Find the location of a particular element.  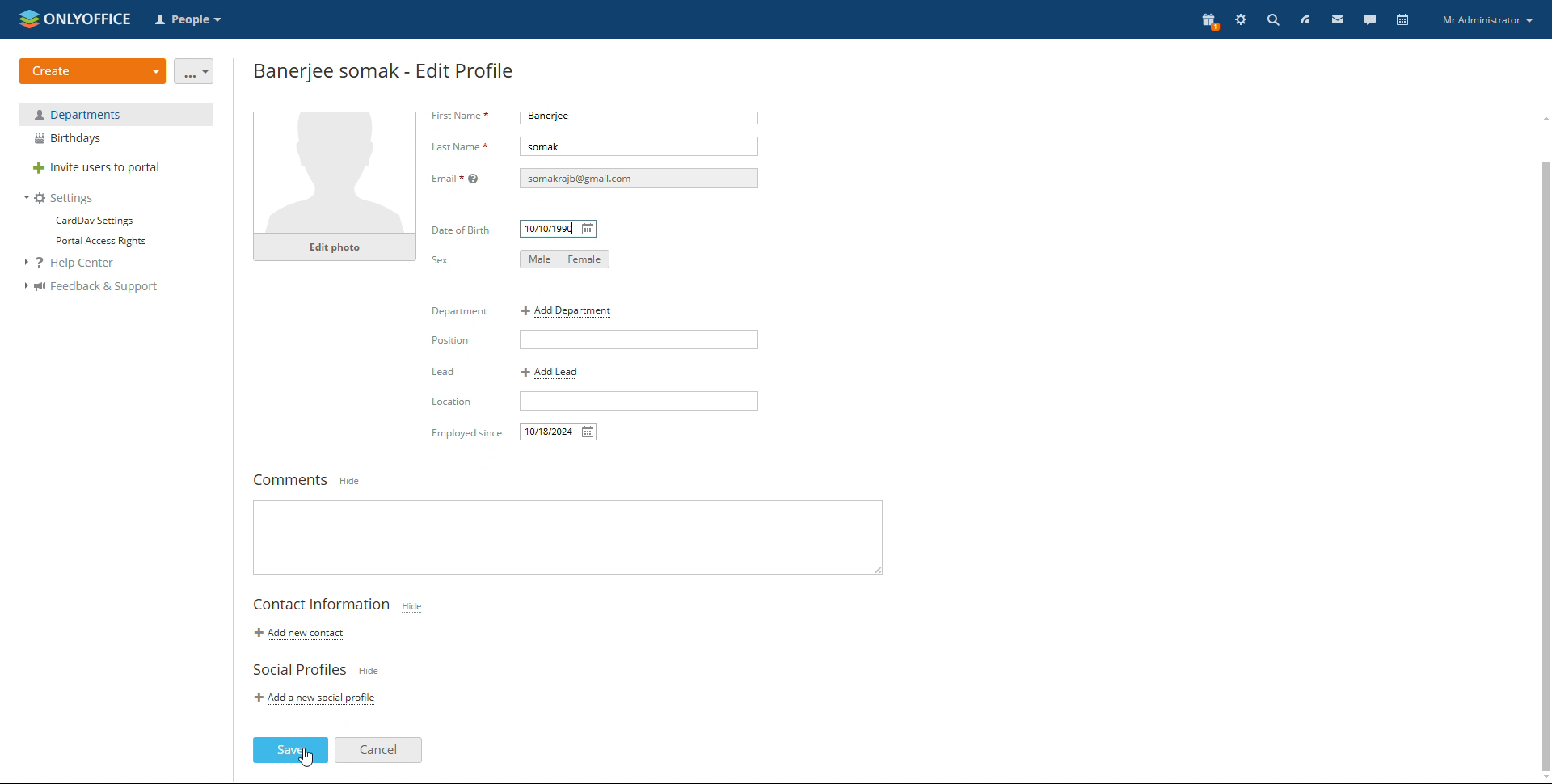

add new contact is located at coordinates (296, 634).